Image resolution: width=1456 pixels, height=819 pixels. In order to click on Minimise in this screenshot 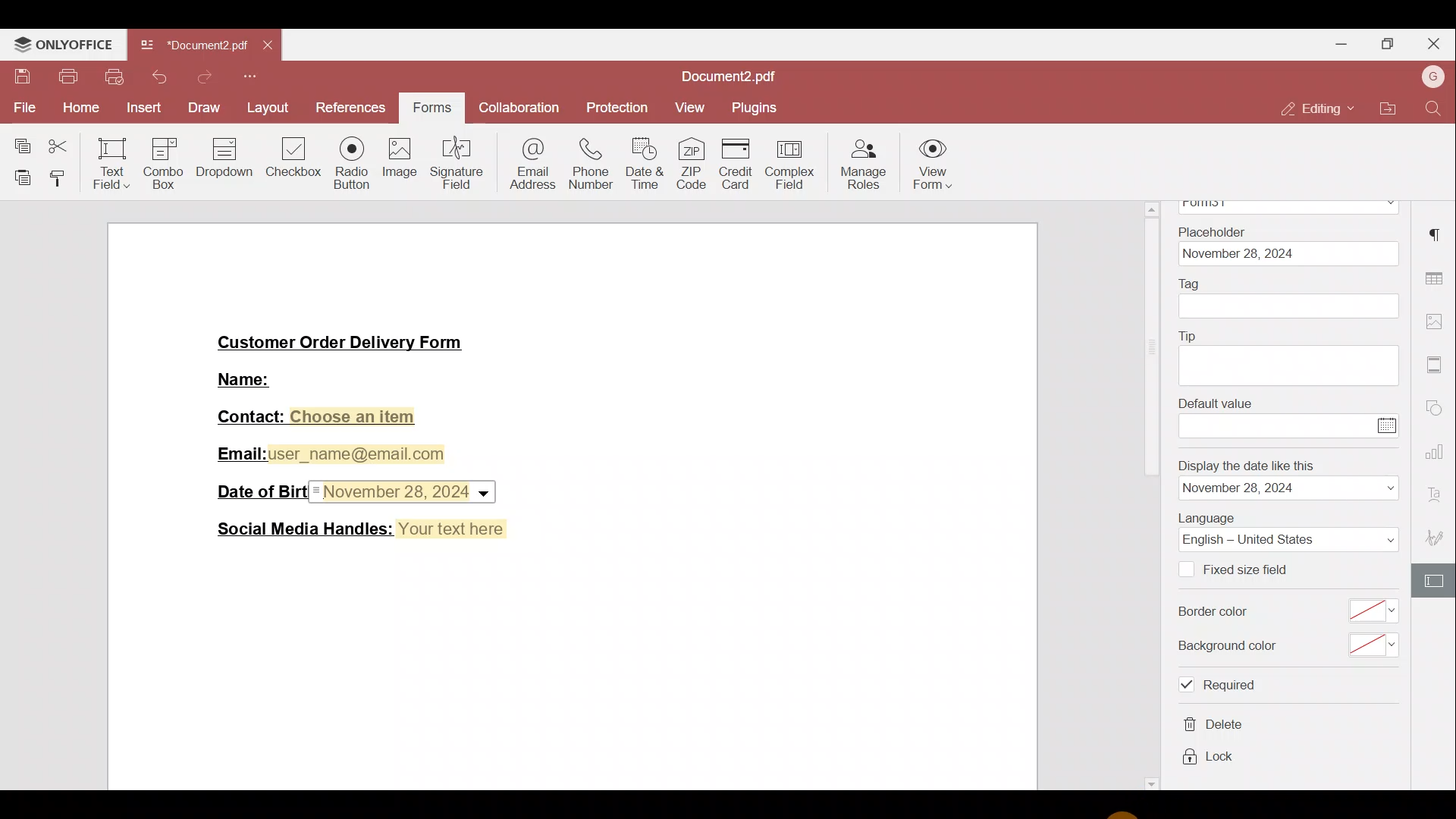, I will do `click(1341, 46)`.